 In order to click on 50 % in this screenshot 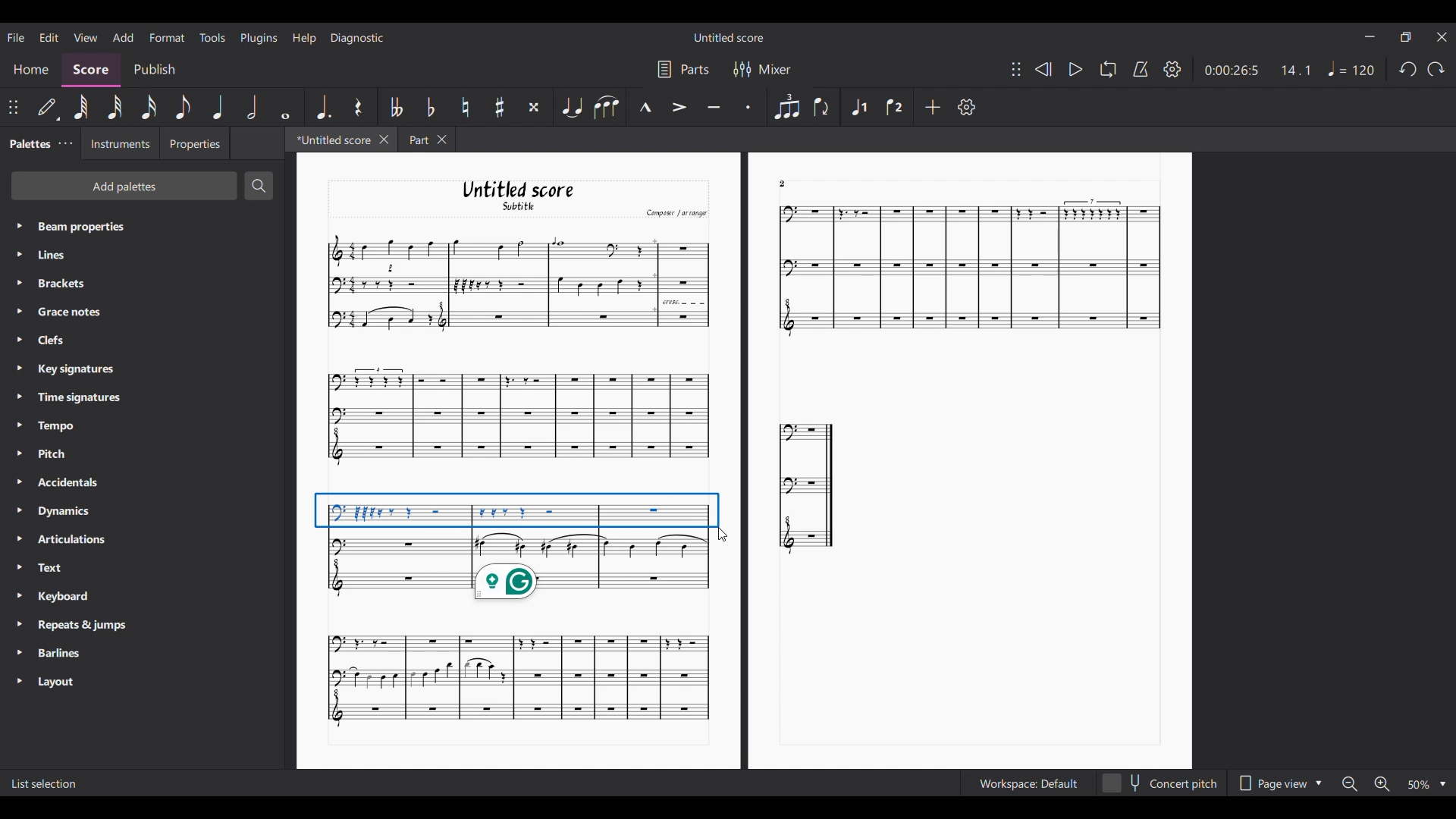, I will do `click(1426, 784)`.